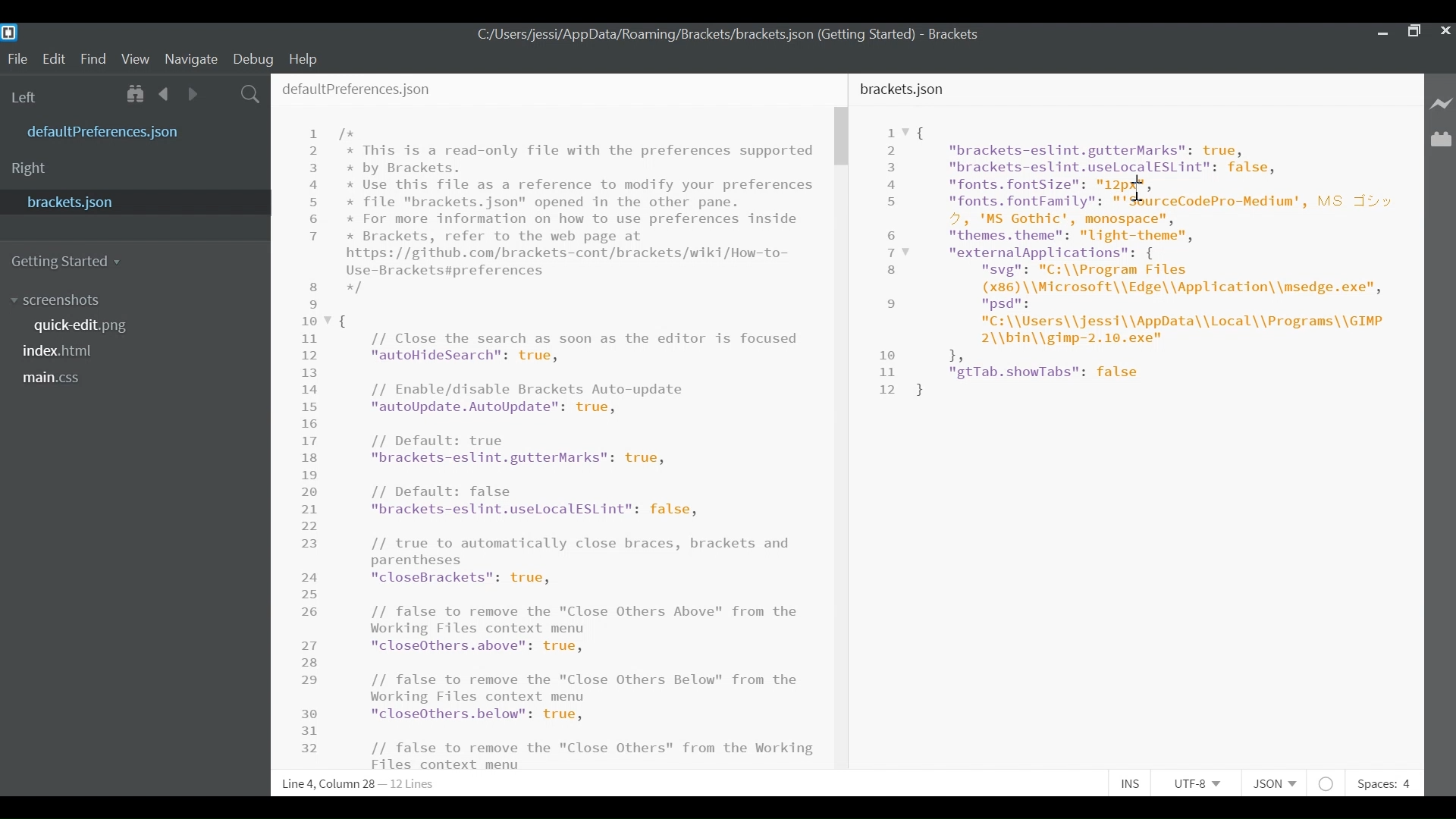  Describe the element at coordinates (577, 438) in the screenshot. I see `/*
* This is a read-only file with the preferences supported
* by Brackets.
* Use this file as a reference to modify your preferences
* file "brackets.json" opened in the other pane.
* For more information on how to use preferences inside
* Brackets, refer to the web page at
https: //github.com/brackets-cont/brackets/wiki/How-to-
Use-Brackets#preferences
*/
{
// Close the search as soon as the editor is focused
"autoHideSearch": true,
// Enable/disable Brackets Auto-update
"autoUpdate.AutoUpdate": true,
// Default: true
"brackets-eslint.gutterMarks": true,
// Default: false
"brackets-eslint.uselocalESLint": false,
// true to automatically close braces, brackets and
parentheses
Fo lai Ta NS` at that location.